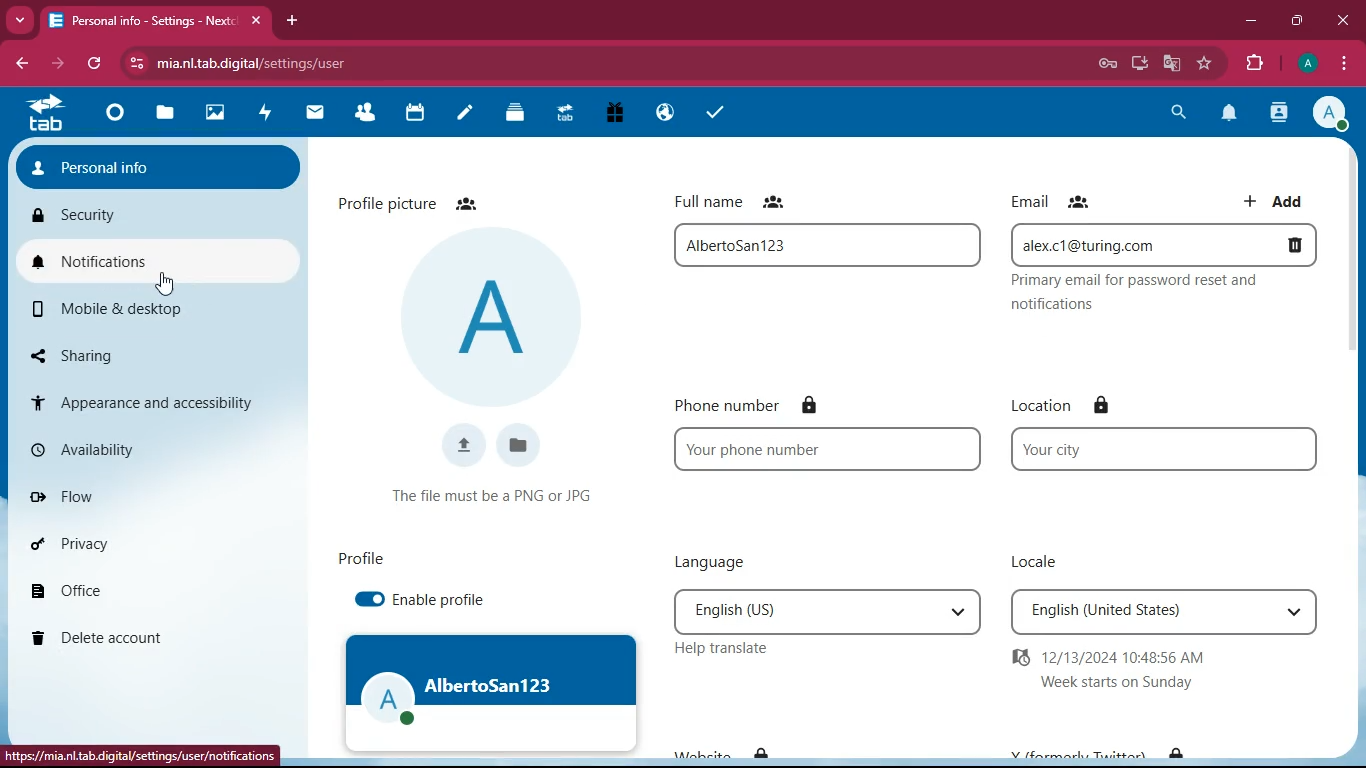 Image resolution: width=1366 pixels, height=768 pixels. What do you see at coordinates (119, 117) in the screenshot?
I see `Dashboard` at bounding box center [119, 117].